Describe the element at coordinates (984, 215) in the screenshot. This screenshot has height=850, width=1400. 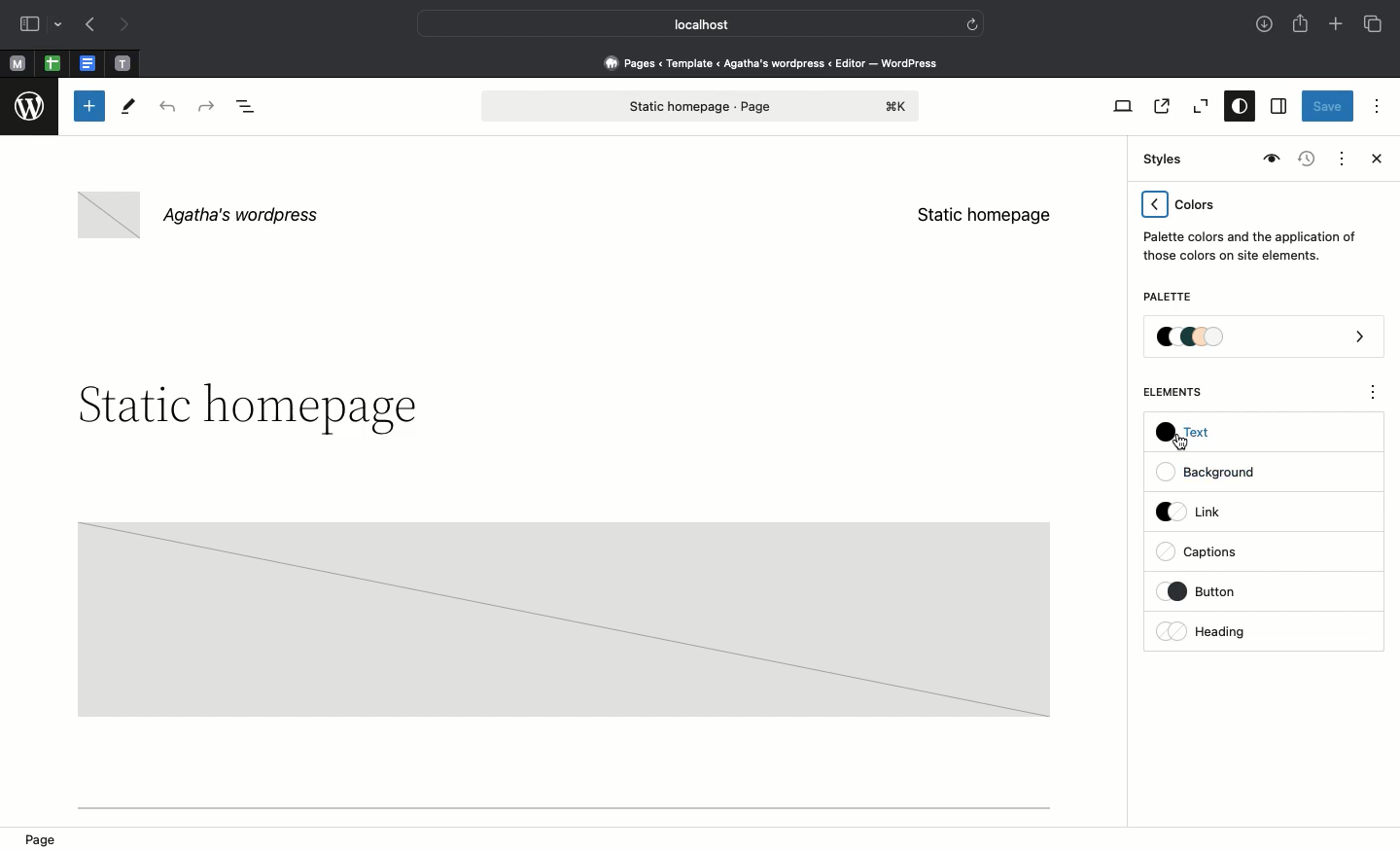
I see `Static homepage` at that location.